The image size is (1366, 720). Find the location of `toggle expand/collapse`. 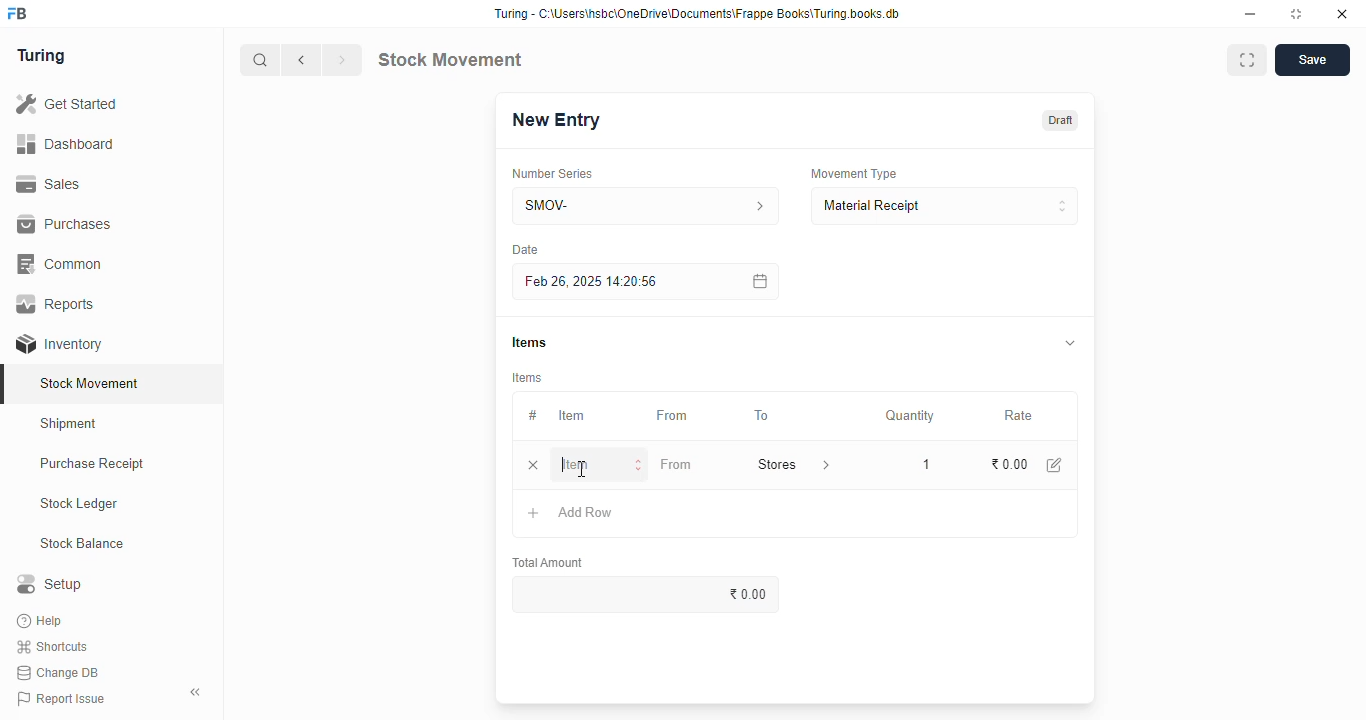

toggle expand/collapse is located at coordinates (1071, 342).